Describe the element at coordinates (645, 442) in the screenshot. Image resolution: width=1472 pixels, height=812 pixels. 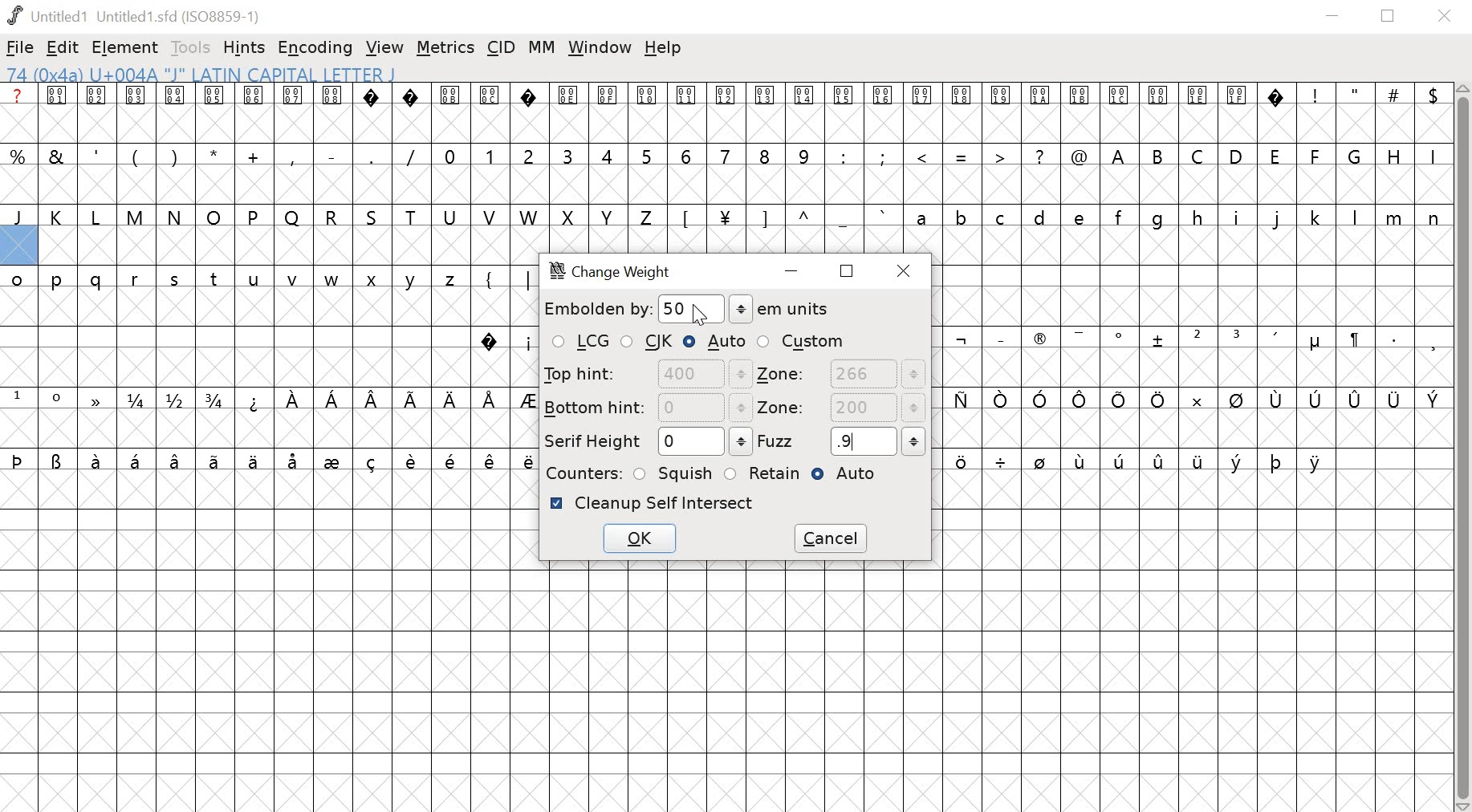
I see `SERIF HEIGHT` at that location.